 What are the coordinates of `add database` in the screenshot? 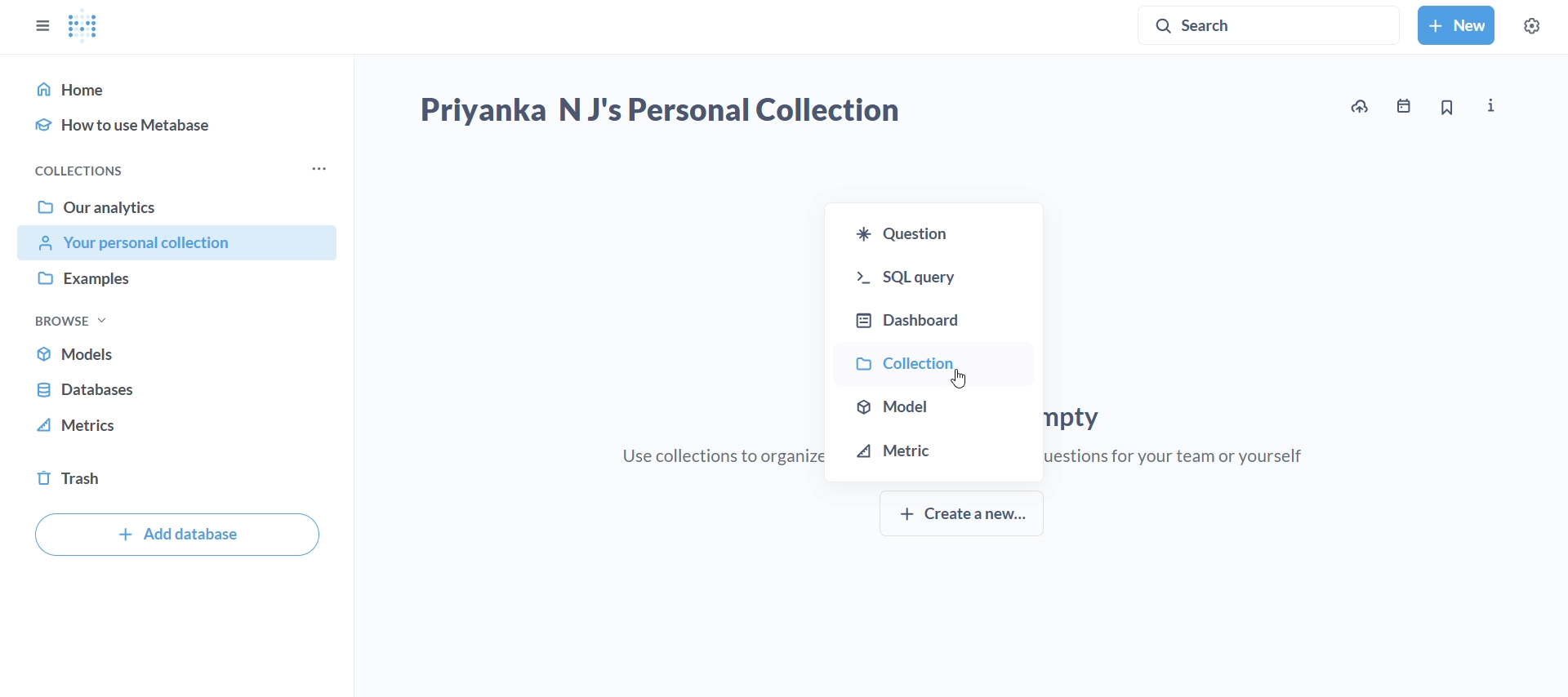 It's located at (176, 535).